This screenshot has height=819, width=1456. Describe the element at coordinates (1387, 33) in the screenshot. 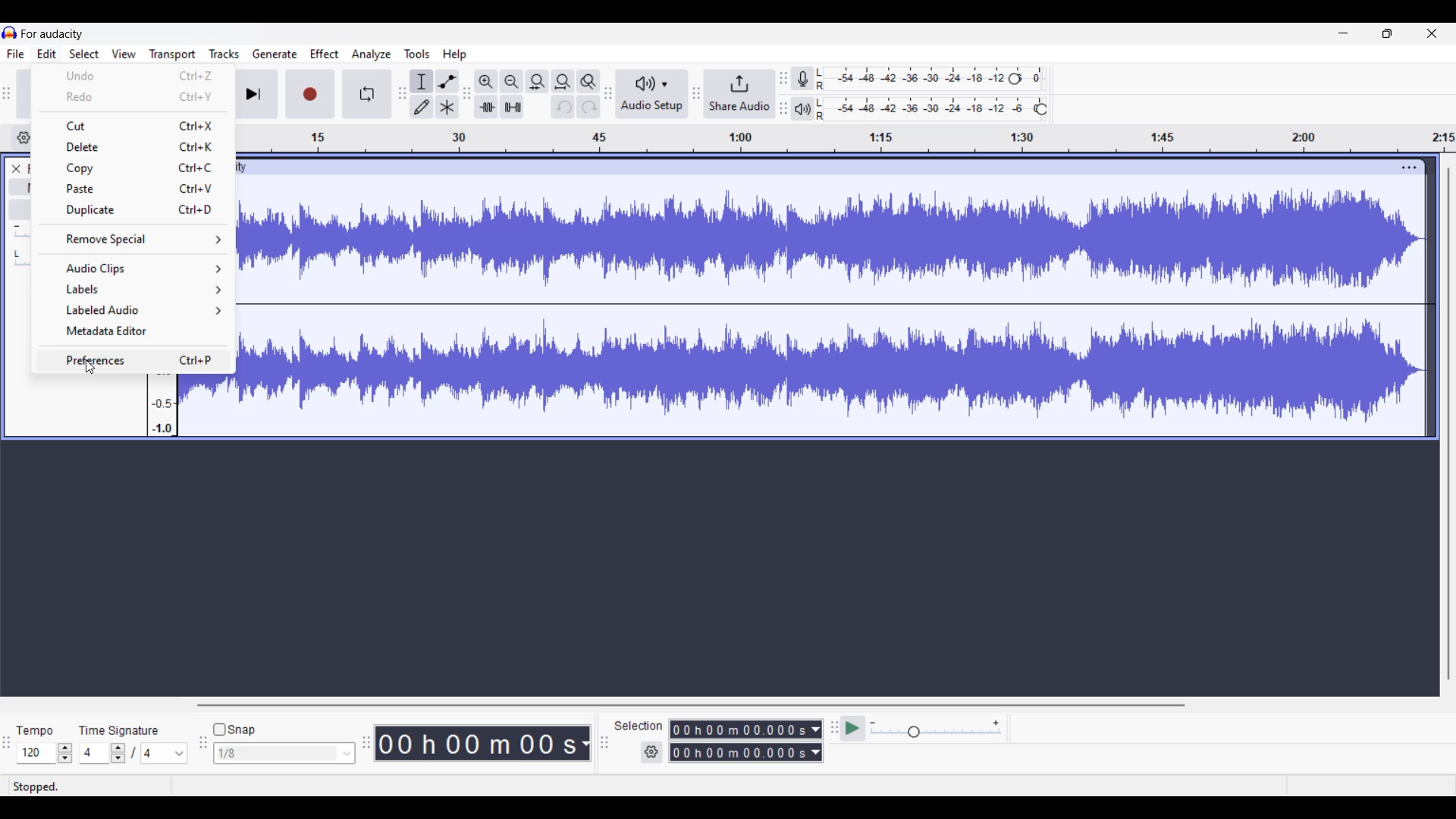

I see `Show in smaller tab` at that location.